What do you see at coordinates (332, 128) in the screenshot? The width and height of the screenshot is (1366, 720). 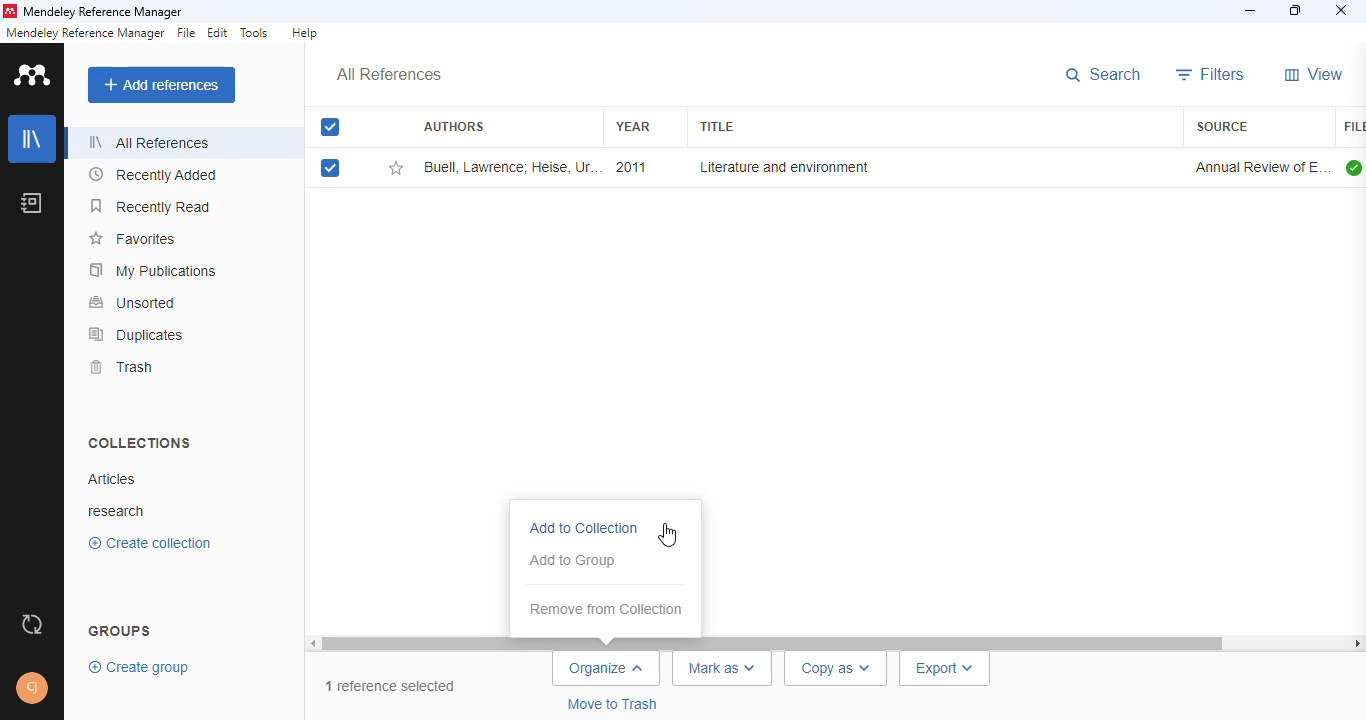 I see `selected` at bounding box center [332, 128].